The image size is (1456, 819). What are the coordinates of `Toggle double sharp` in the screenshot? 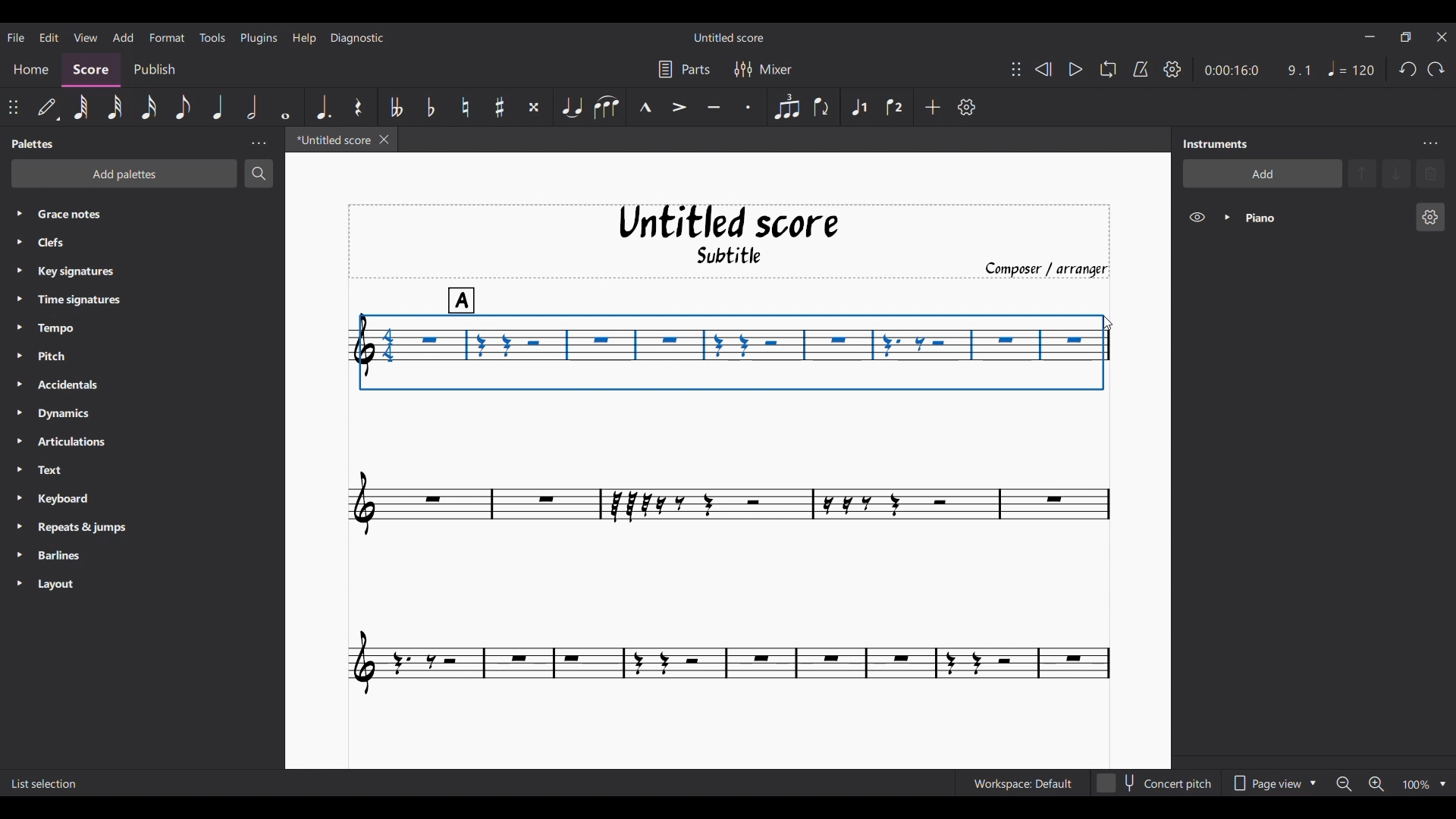 It's located at (534, 107).